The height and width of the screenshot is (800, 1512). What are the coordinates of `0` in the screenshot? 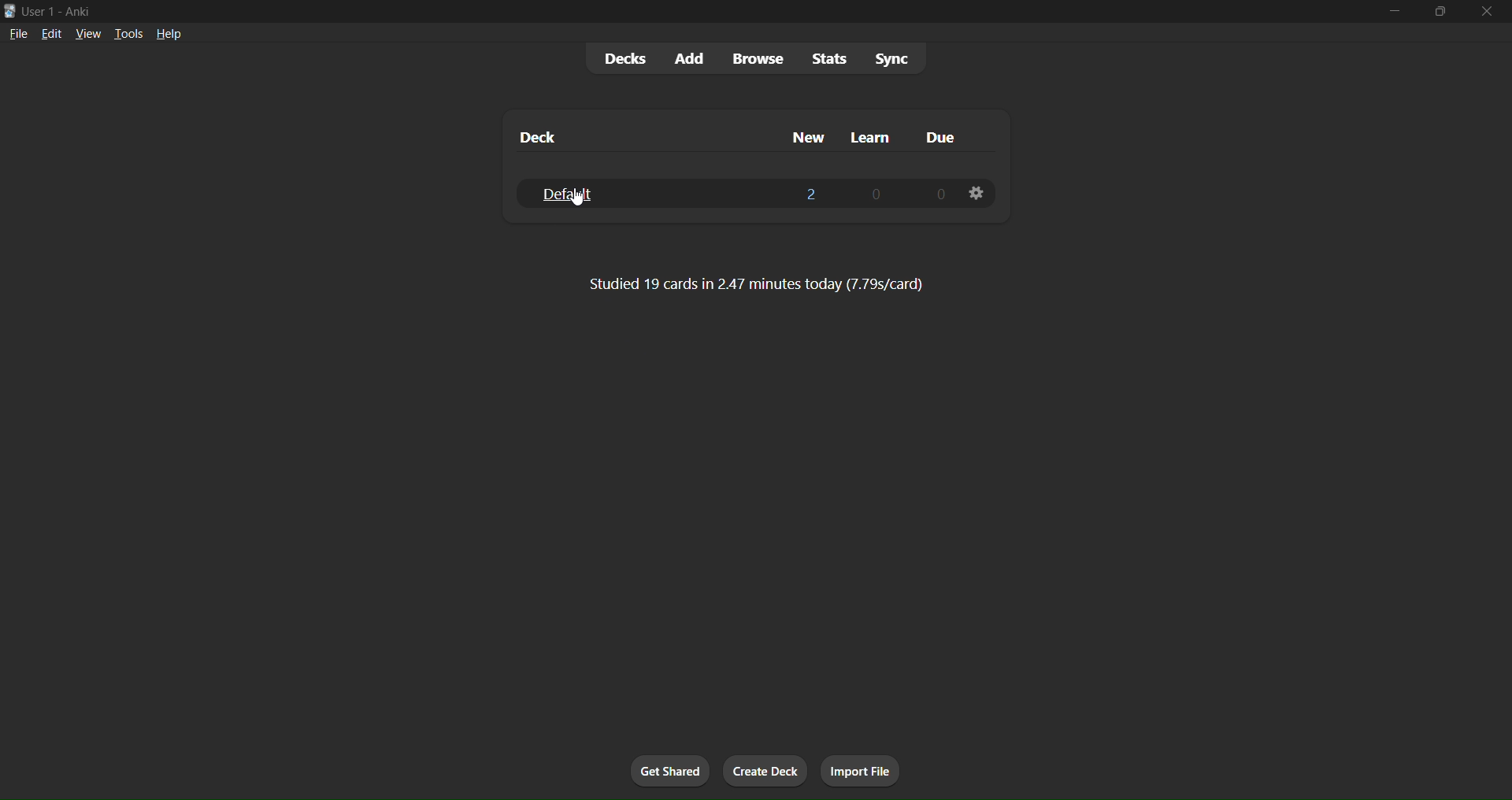 It's located at (939, 194).